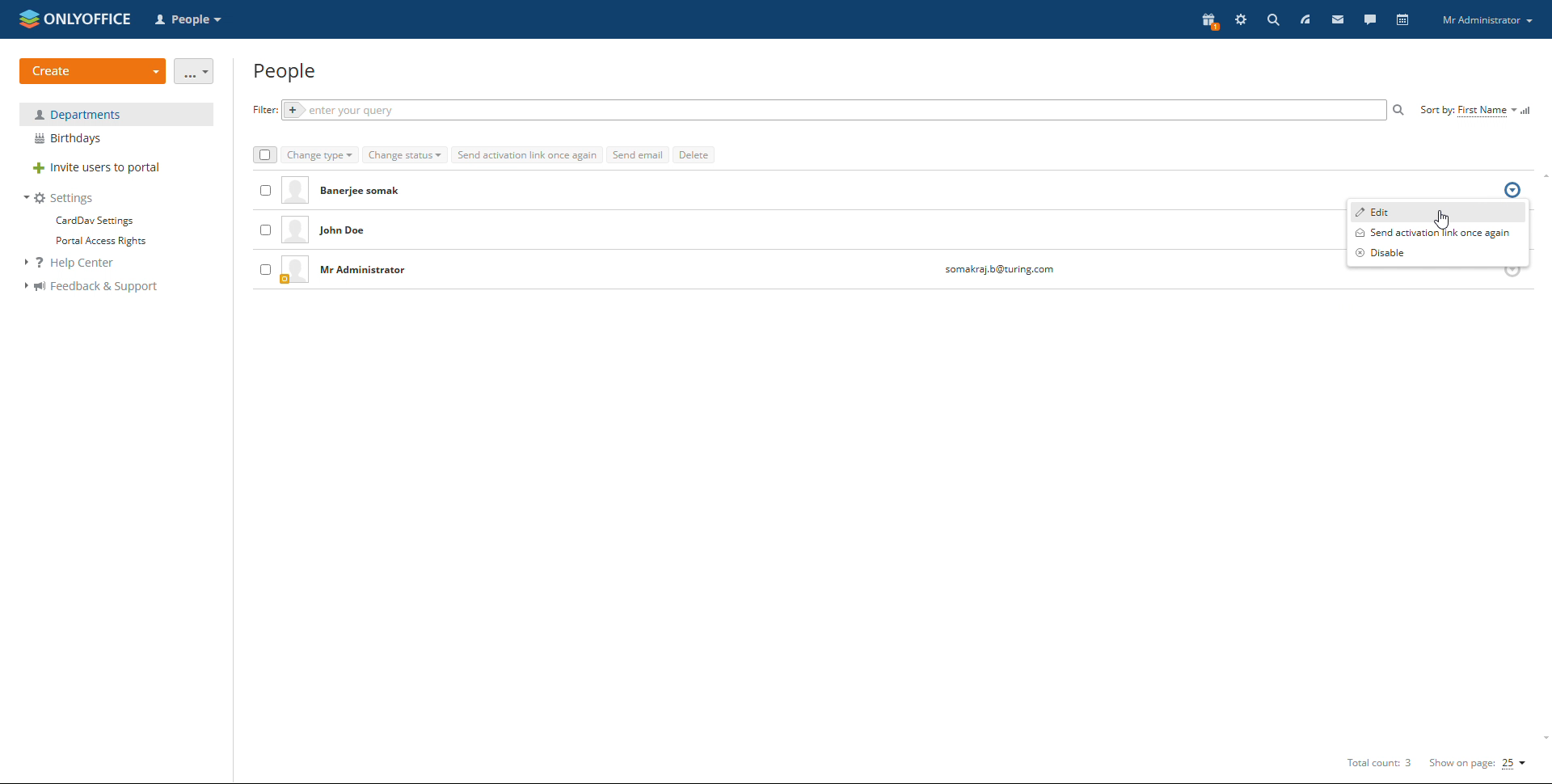 Image resolution: width=1552 pixels, height=784 pixels. I want to click on send email, so click(638, 154).